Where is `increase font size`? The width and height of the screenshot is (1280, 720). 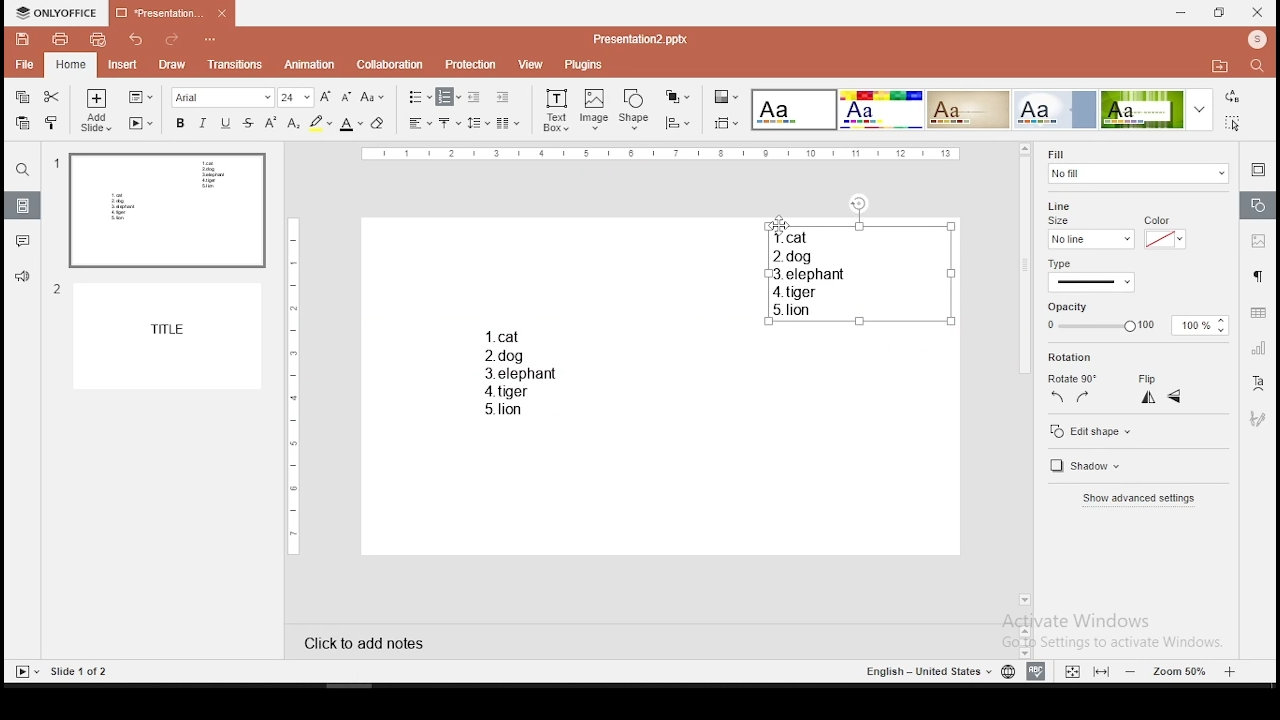 increase font size is located at coordinates (324, 96).